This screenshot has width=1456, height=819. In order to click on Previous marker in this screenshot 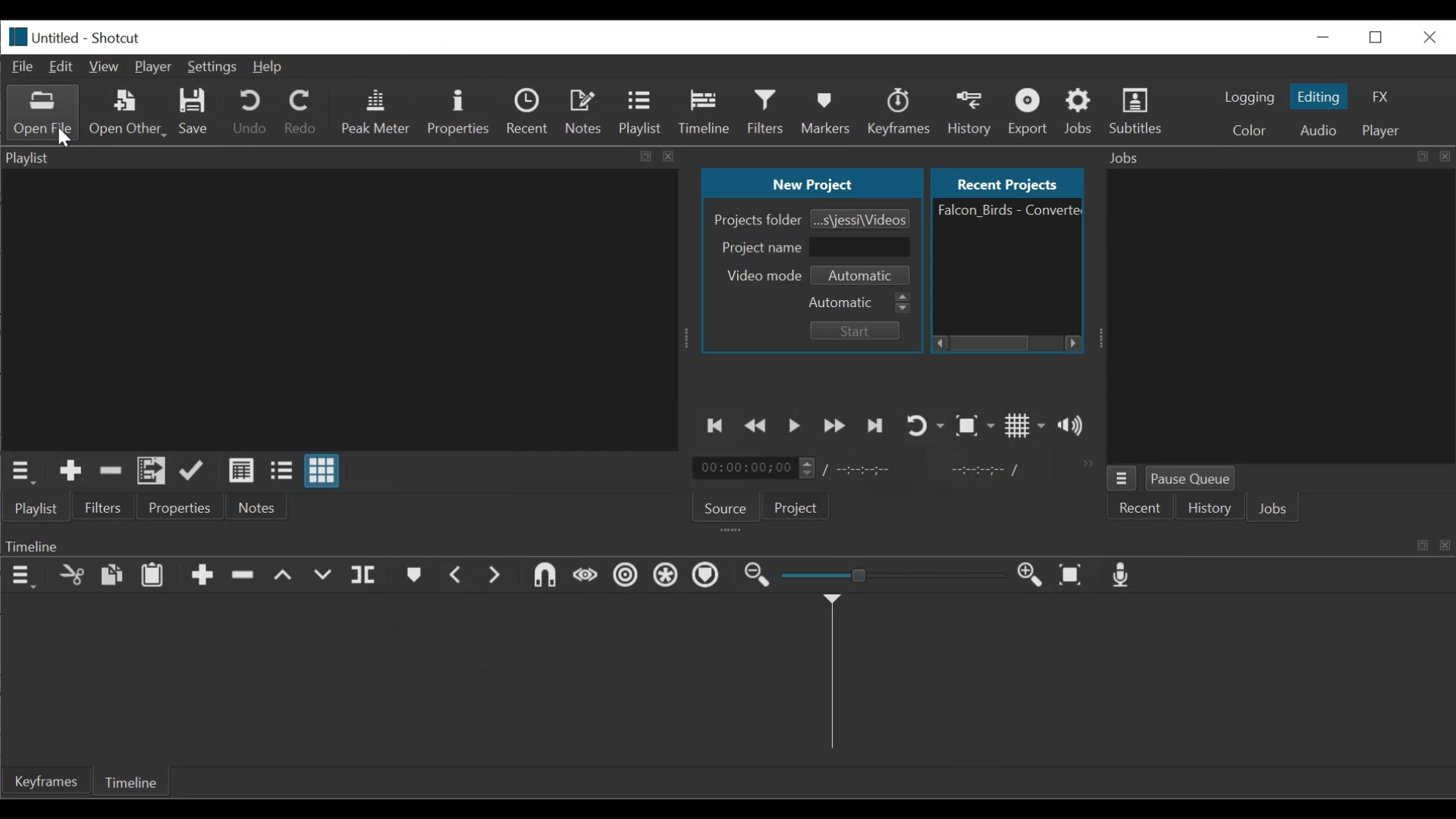, I will do `click(457, 575)`.